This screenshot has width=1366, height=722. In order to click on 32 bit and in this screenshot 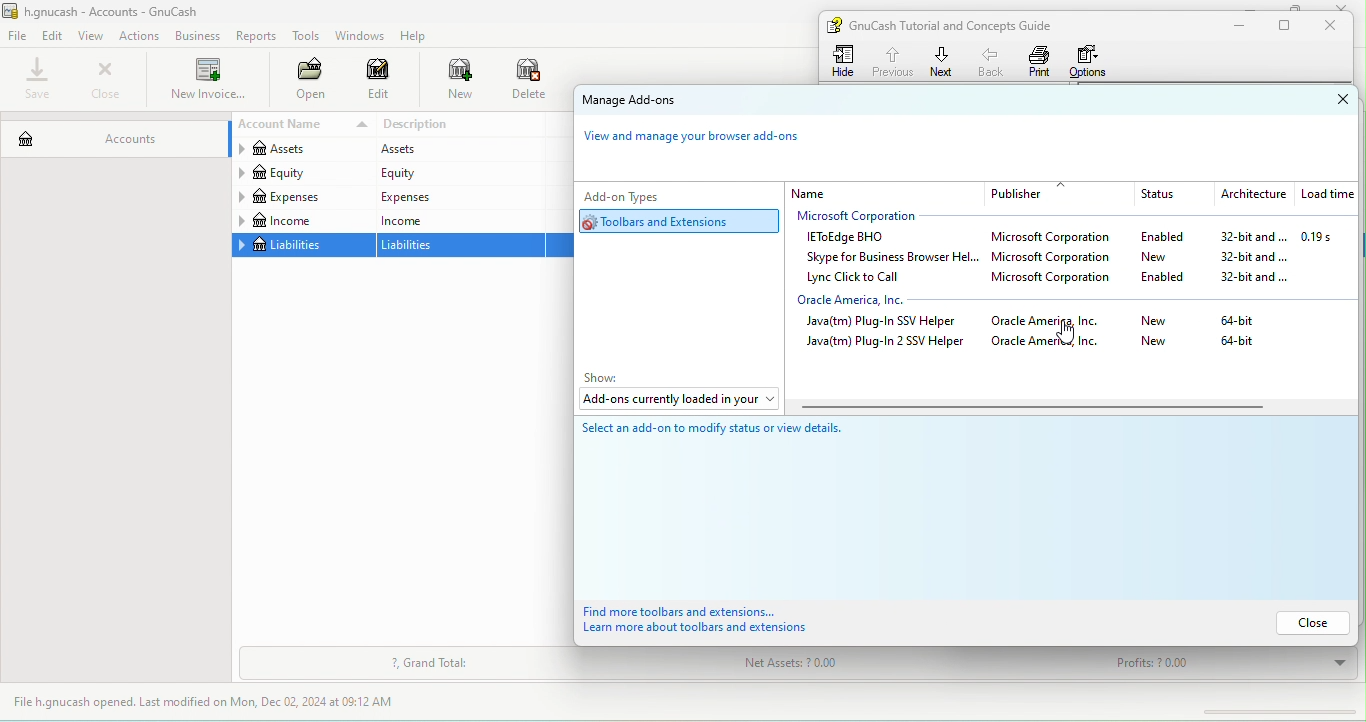, I will do `click(1253, 257)`.